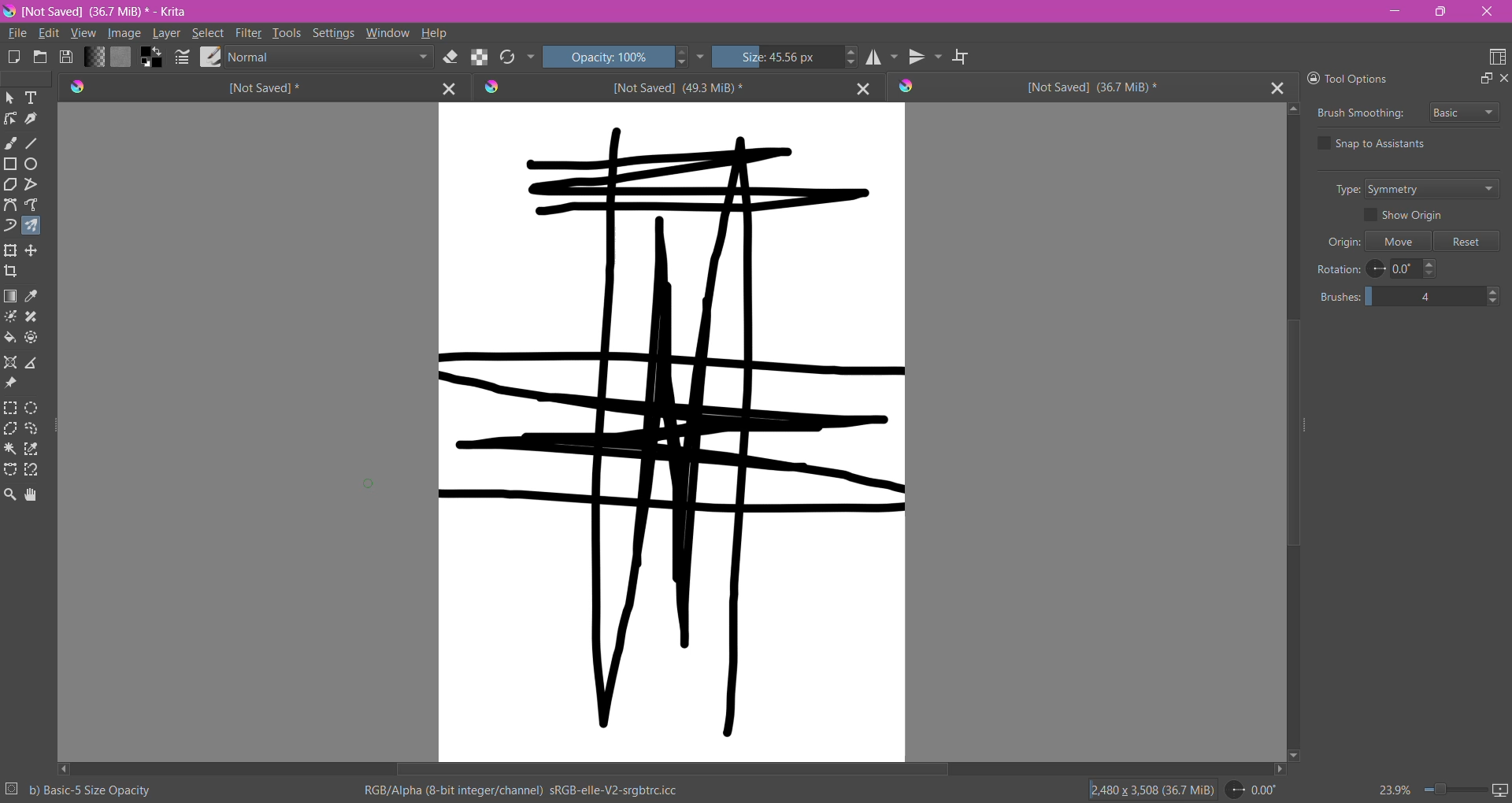 This screenshot has width=1512, height=803. What do you see at coordinates (1295, 432) in the screenshot?
I see `Vertical Scroll Bar` at bounding box center [1295, 432].